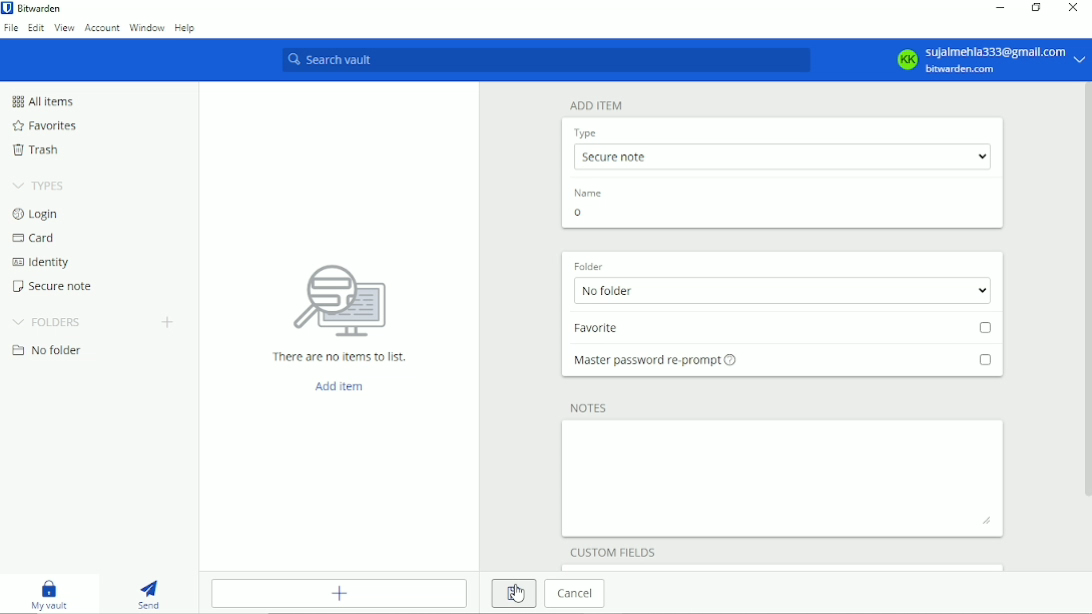  Describe the element at coordinates (597, 105) in the screenshot. I see `Add item` at that location.